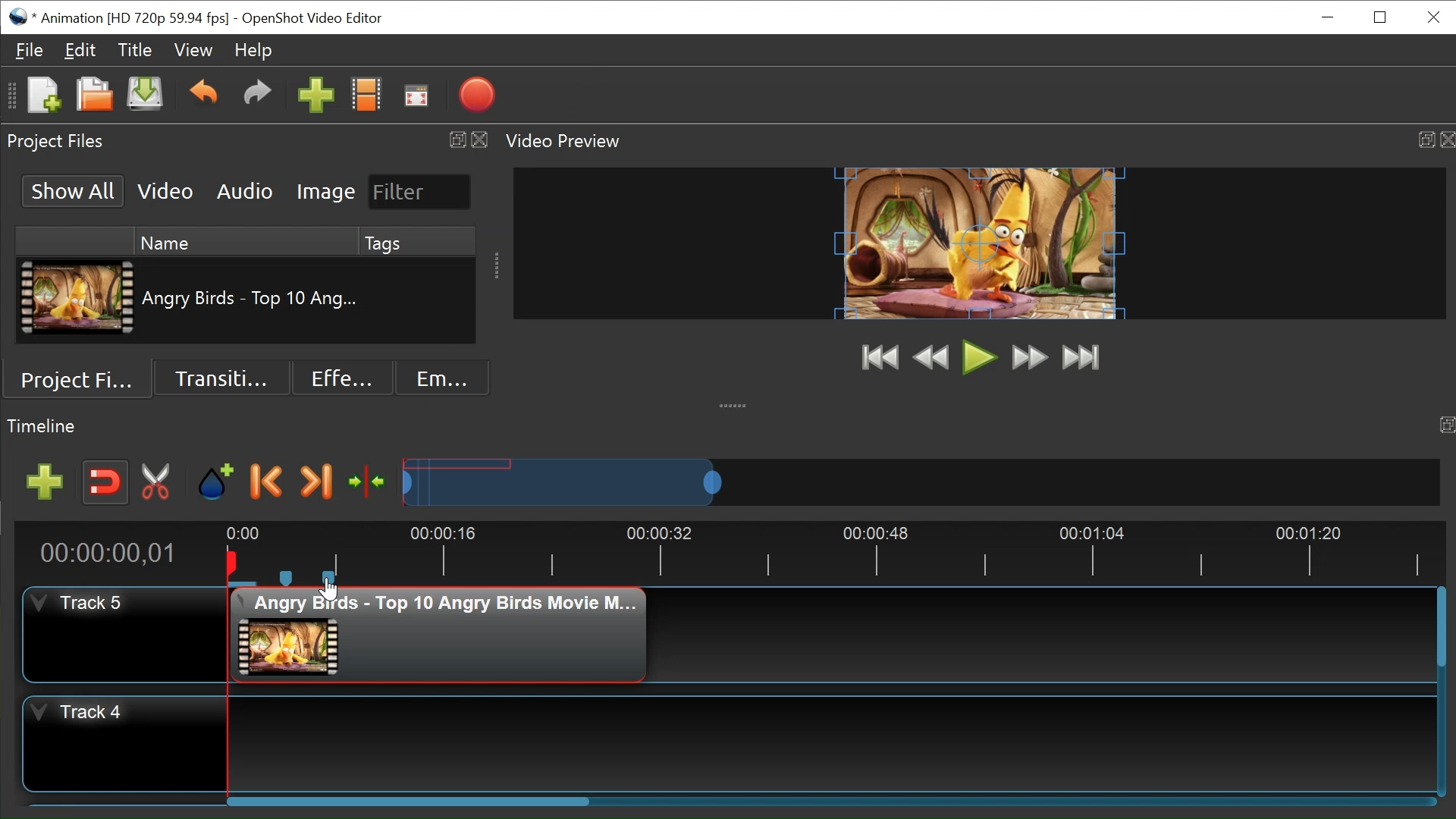  I want to click on Horizontal Scroll bar, so click(407, 802).